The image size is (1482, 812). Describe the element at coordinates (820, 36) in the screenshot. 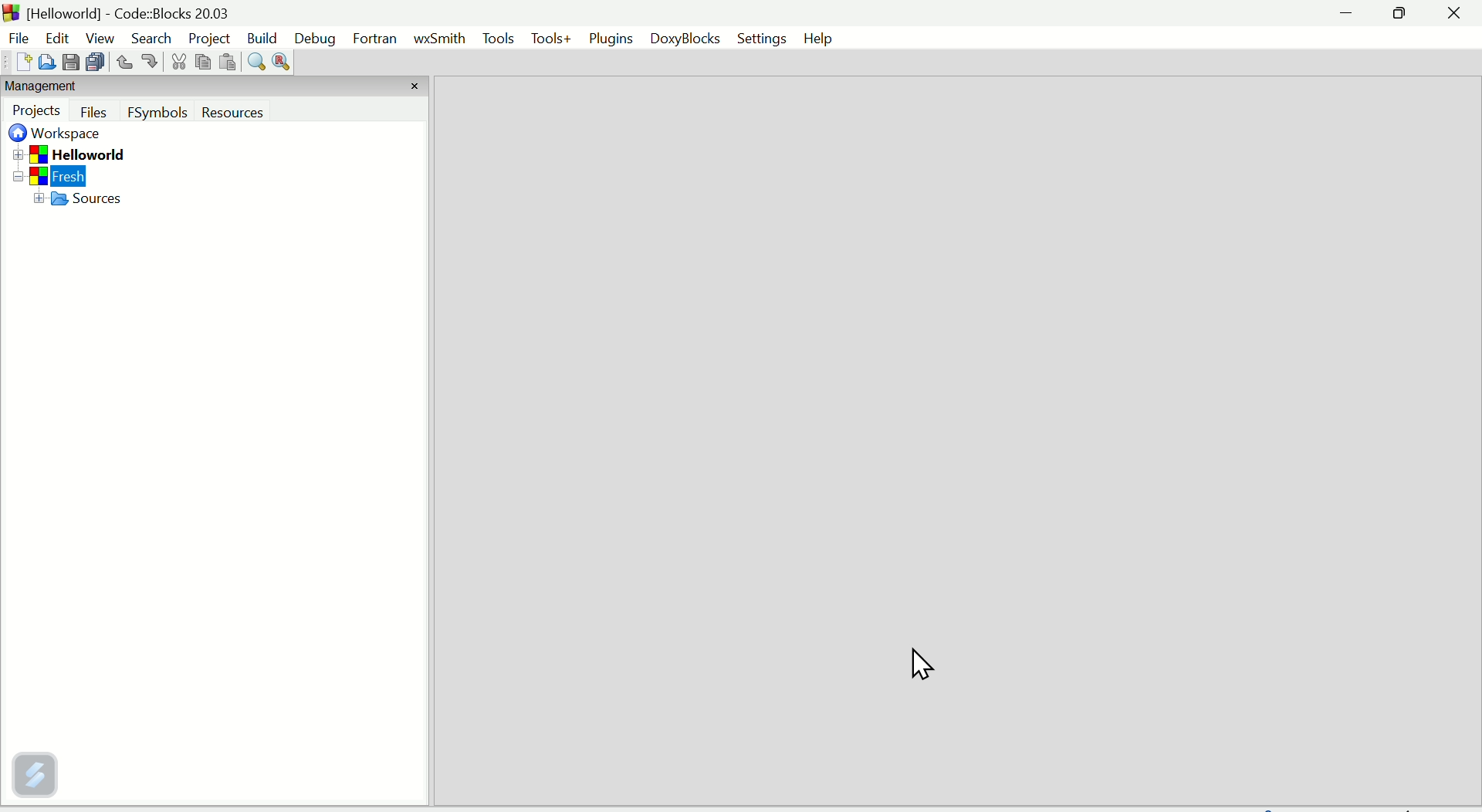

I see `Help` at that location.